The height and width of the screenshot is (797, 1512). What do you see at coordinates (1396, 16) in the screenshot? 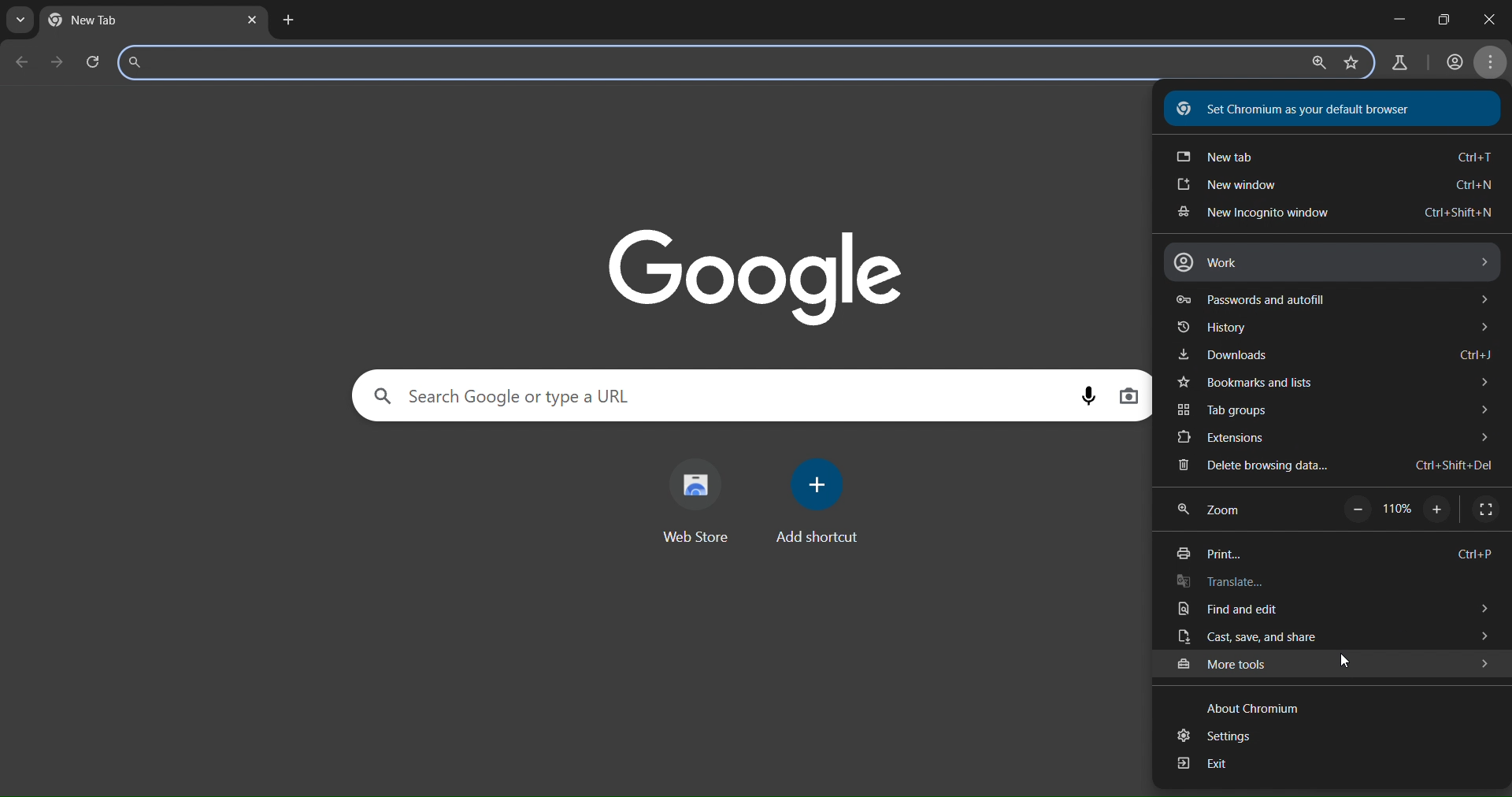
I see `minimize` at bounding box center [1396, 16].